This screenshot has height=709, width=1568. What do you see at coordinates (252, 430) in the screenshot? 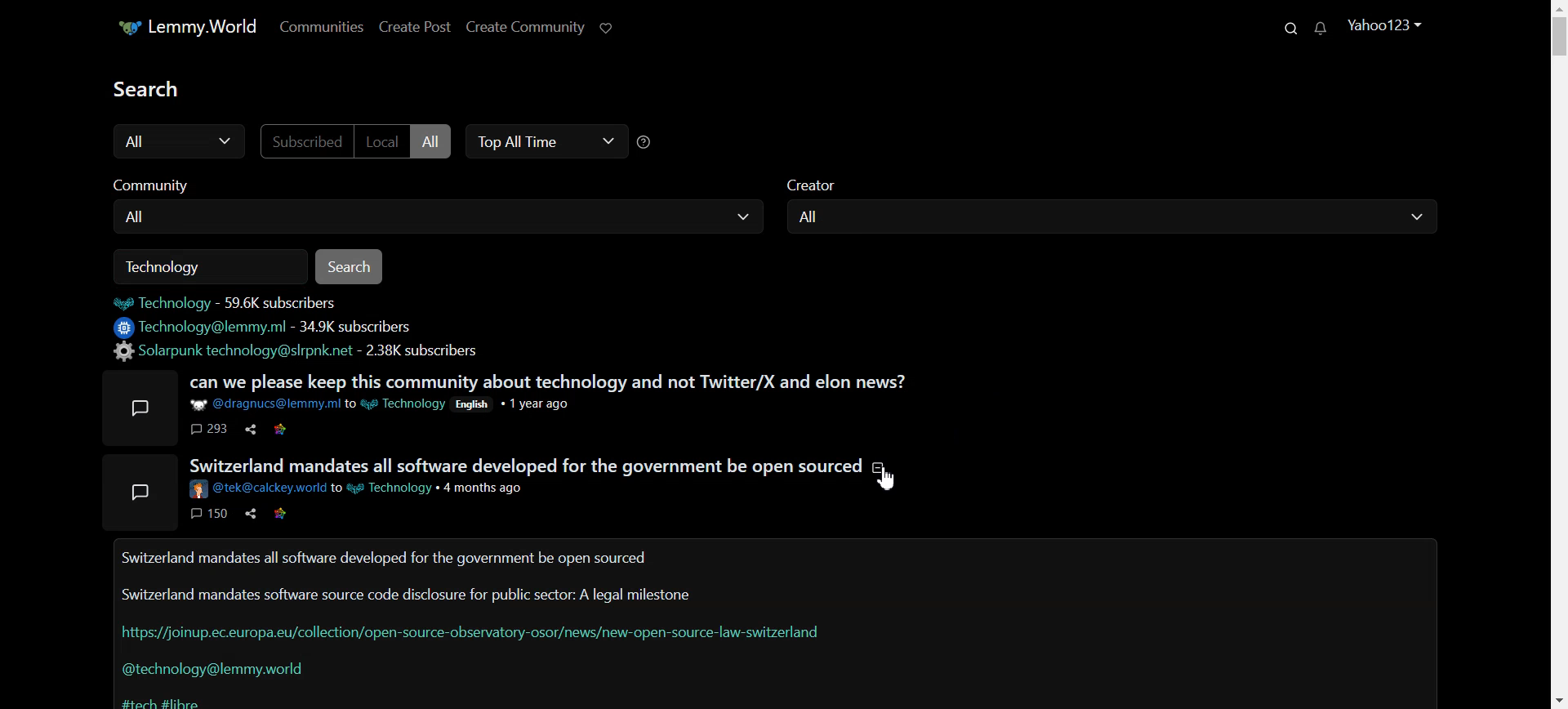
I see `share` at bounding box center [252, 430].